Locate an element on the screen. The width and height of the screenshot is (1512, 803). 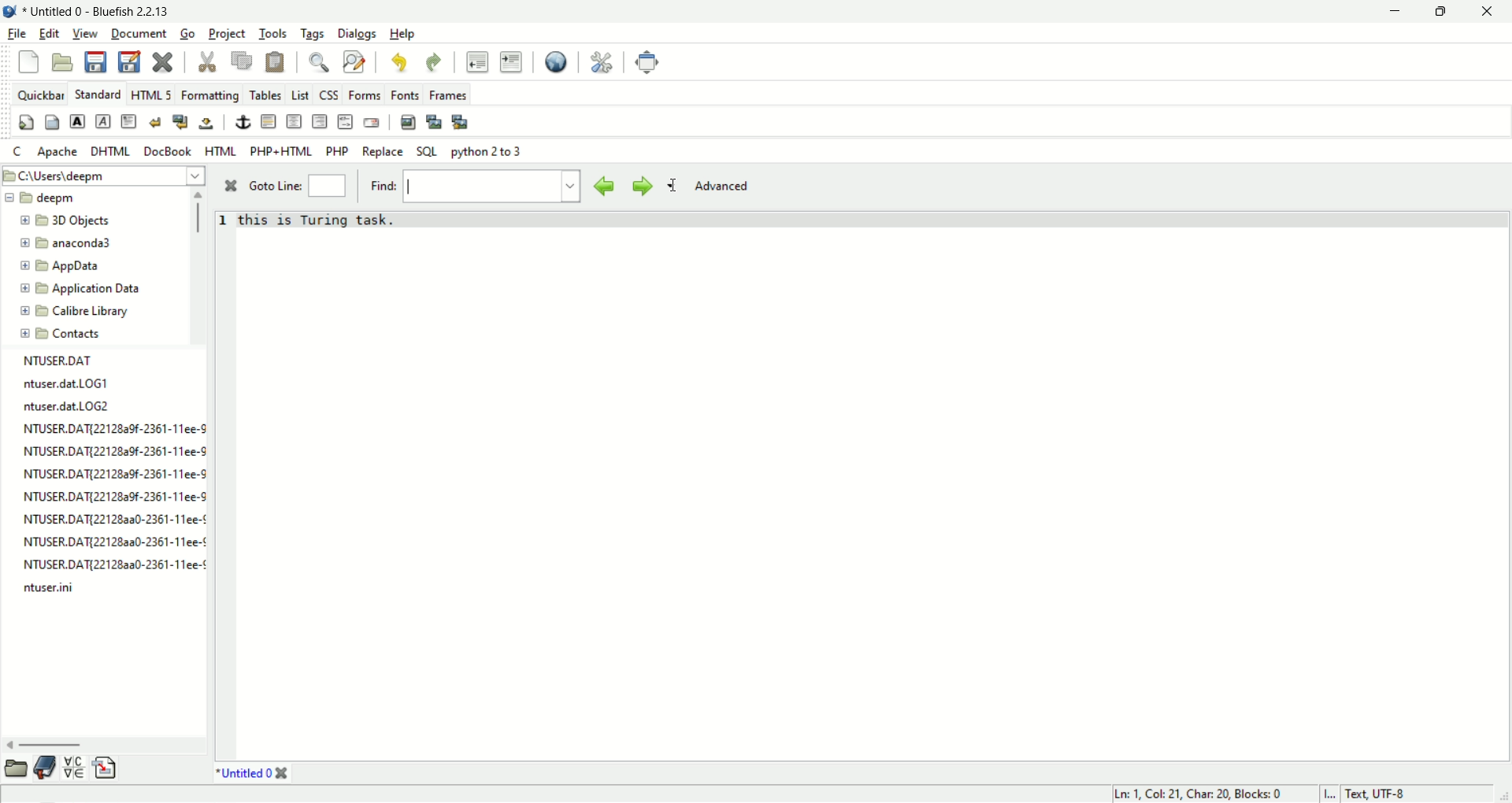
CSS is located at coordinates (330, 96).